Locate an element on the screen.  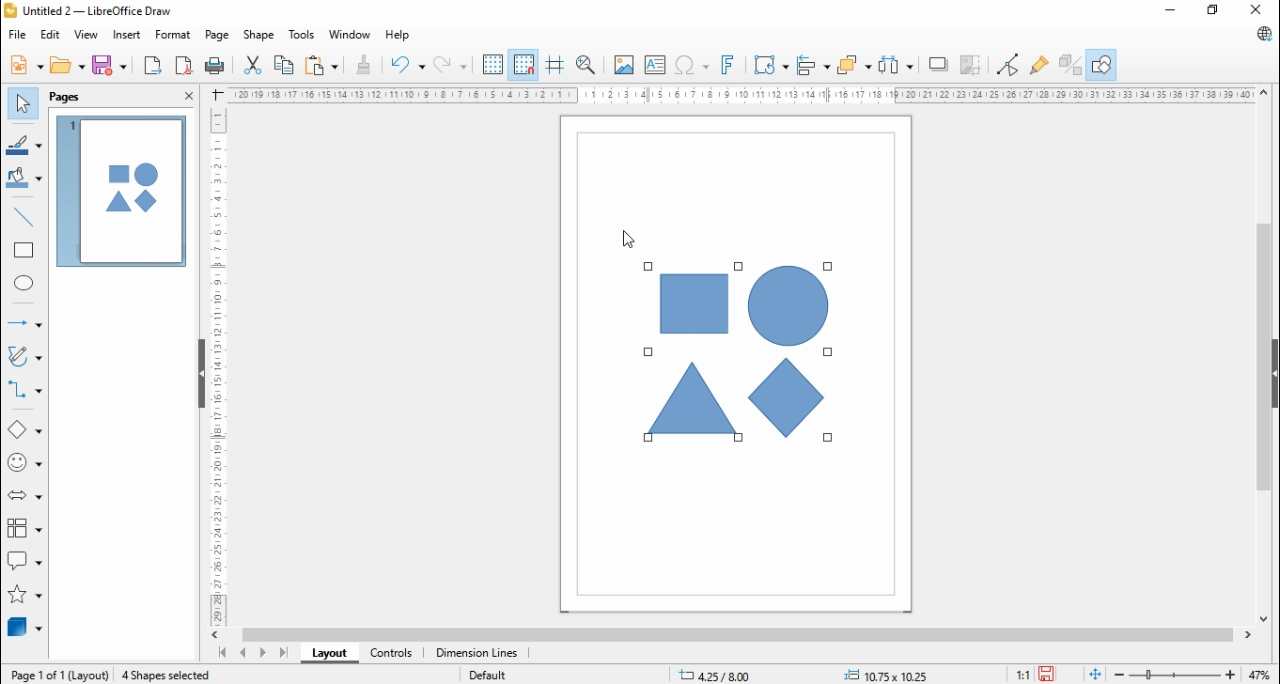
toggle extrusions is located at coordinates (1069, 63).